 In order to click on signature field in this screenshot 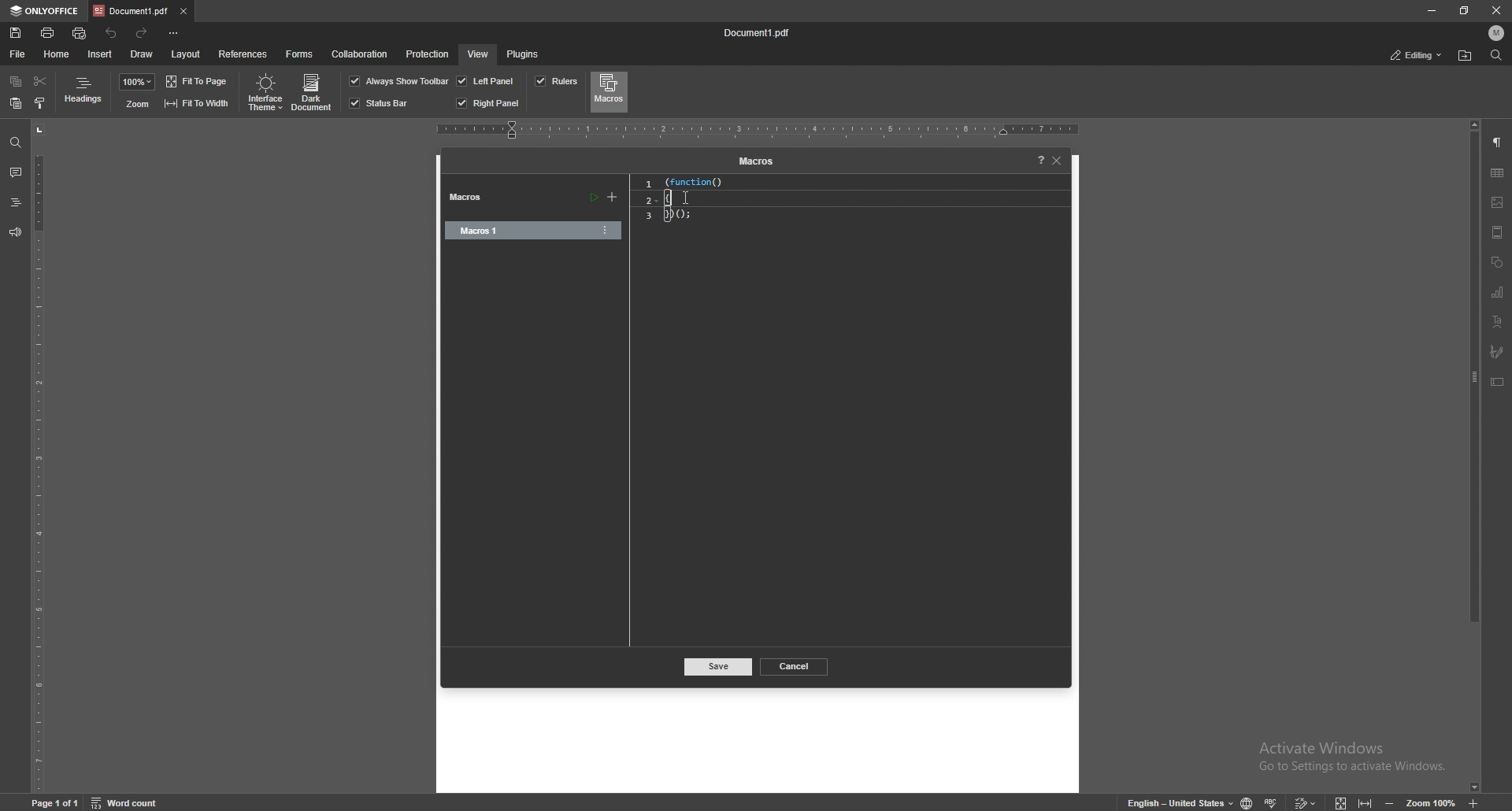, I will do `click(1497, 351)`.